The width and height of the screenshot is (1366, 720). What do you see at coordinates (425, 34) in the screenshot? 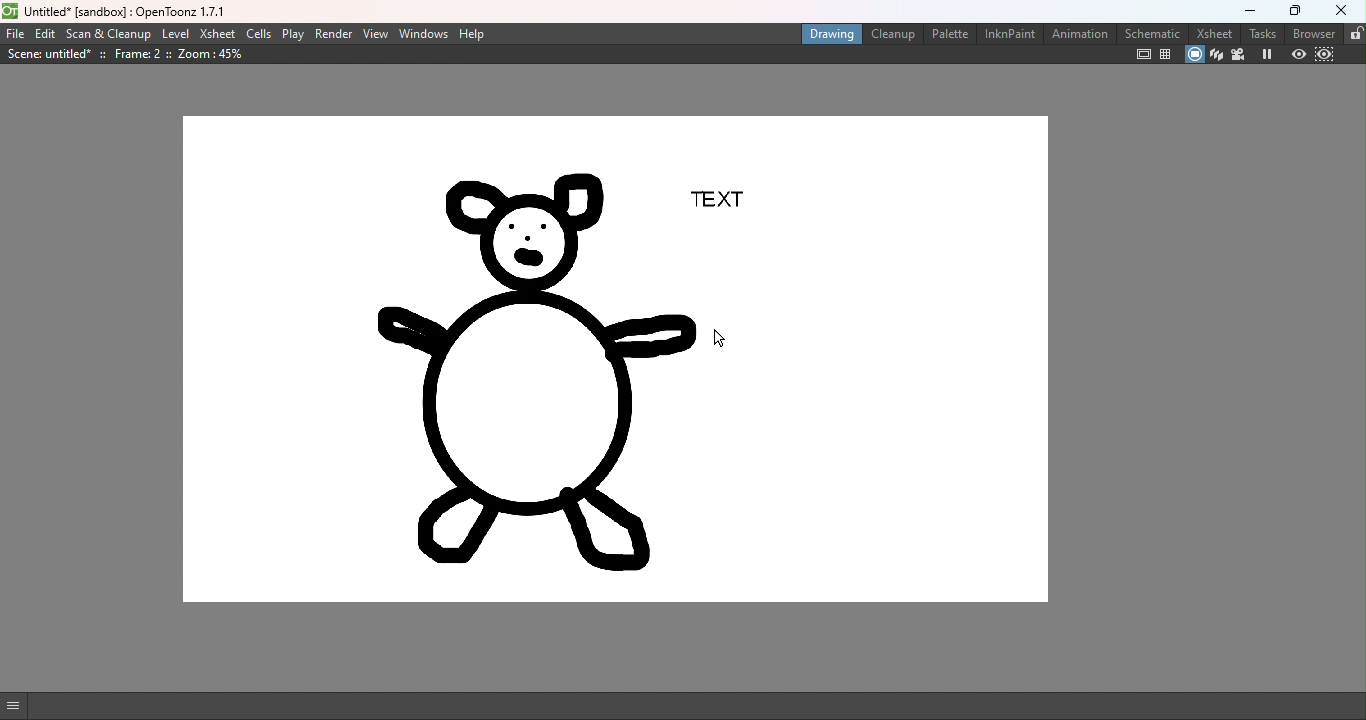
I see `Windows` at bounding box center [425, 34].